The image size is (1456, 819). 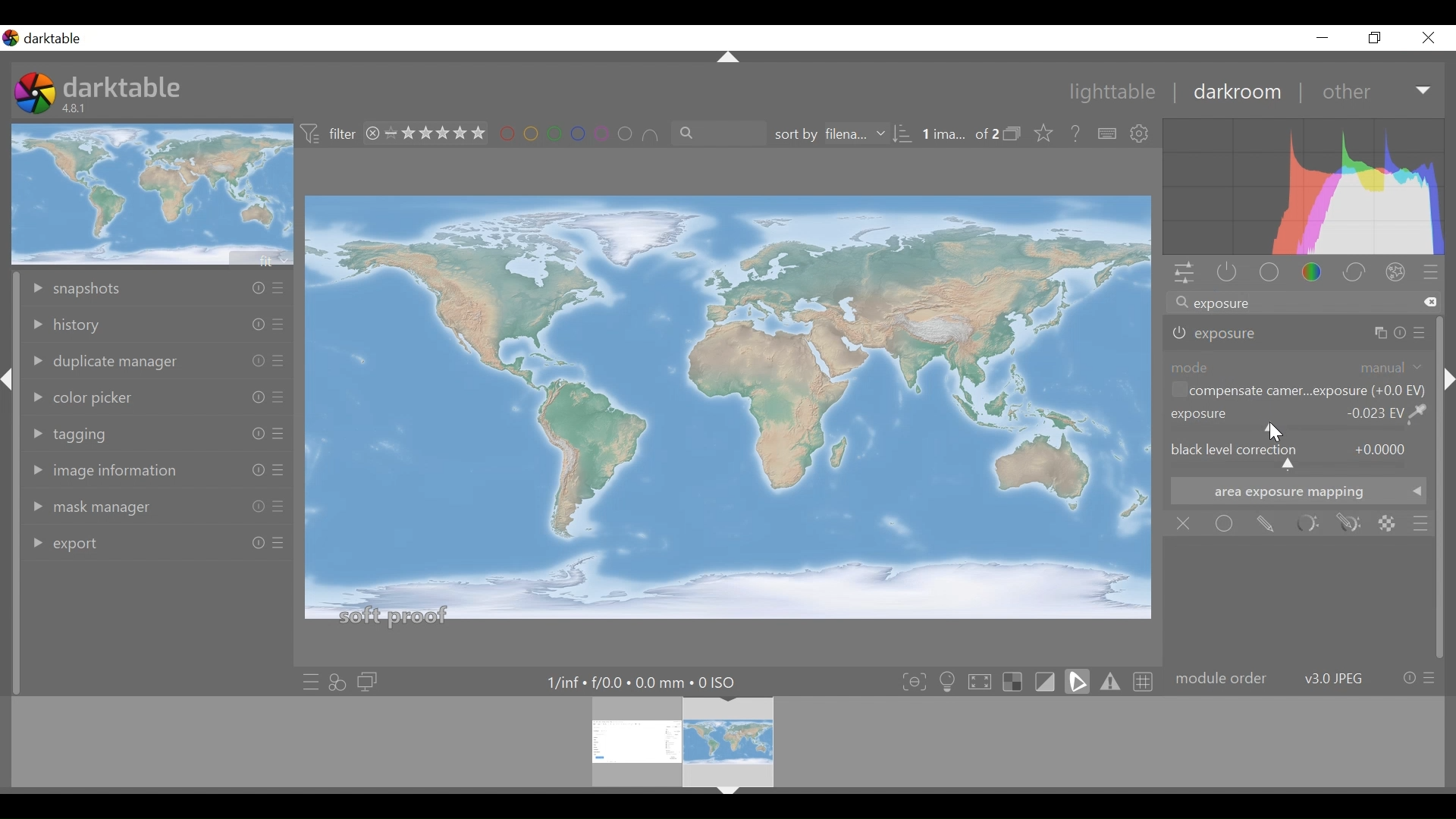 What do you see at coordinates (80, 541) in the screenshot?
I see `export` at bounding box center [80, 541].